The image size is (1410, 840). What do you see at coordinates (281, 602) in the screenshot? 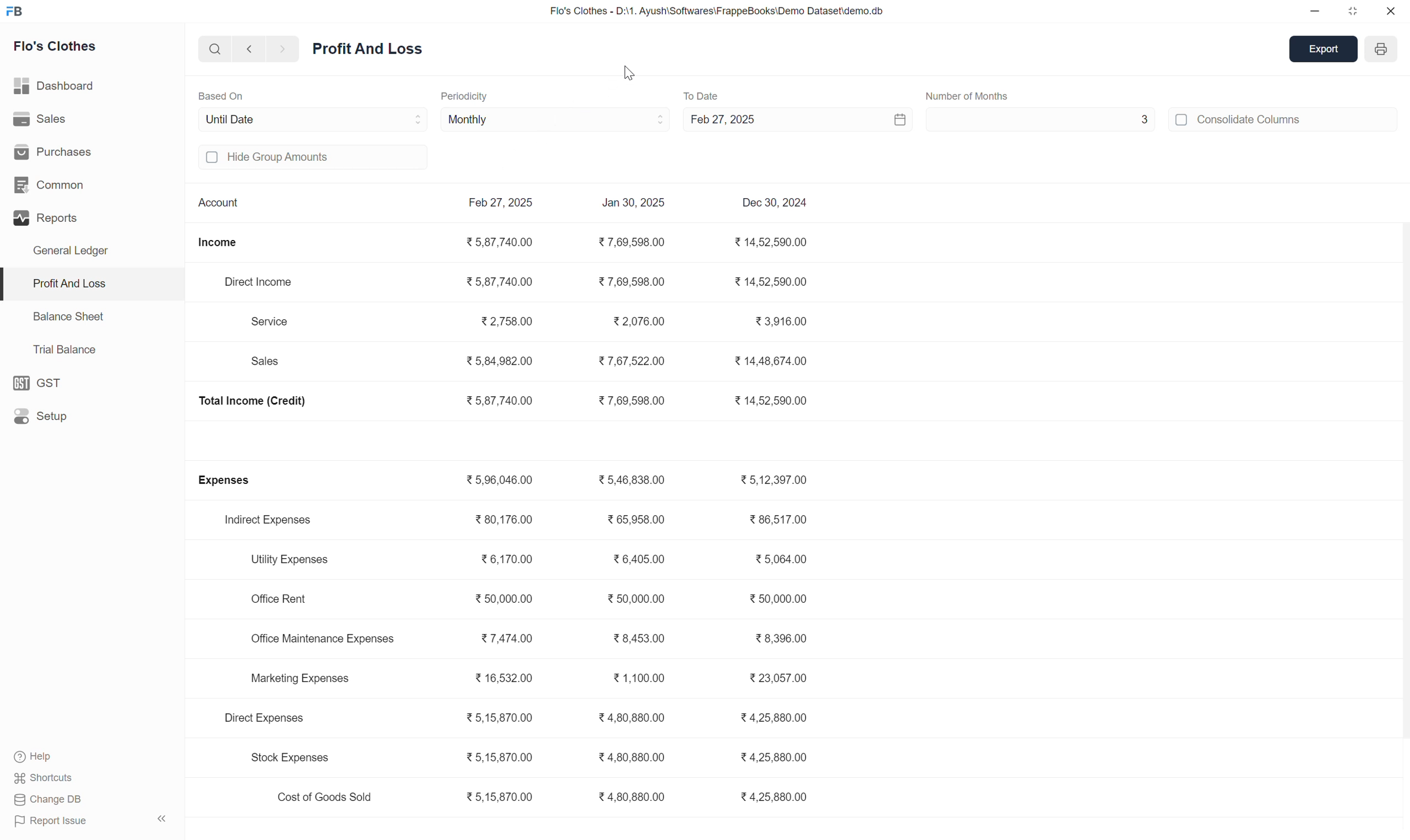
I see `Office Rent` at bounding box center [281, 602].